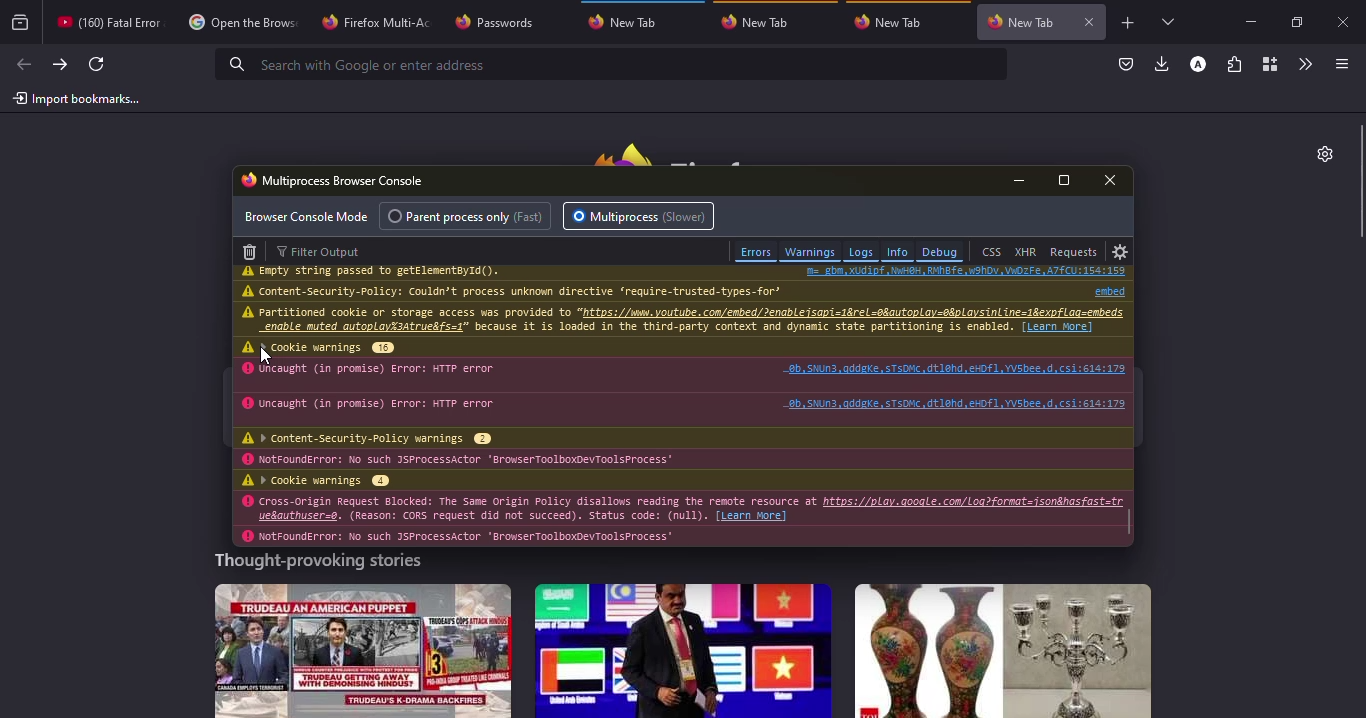 The height and width of the screenshot is (718, 1366). What do you see at coordinates (974, 502) in the screenshot?
I see `https` at bounding box center [974, 502].